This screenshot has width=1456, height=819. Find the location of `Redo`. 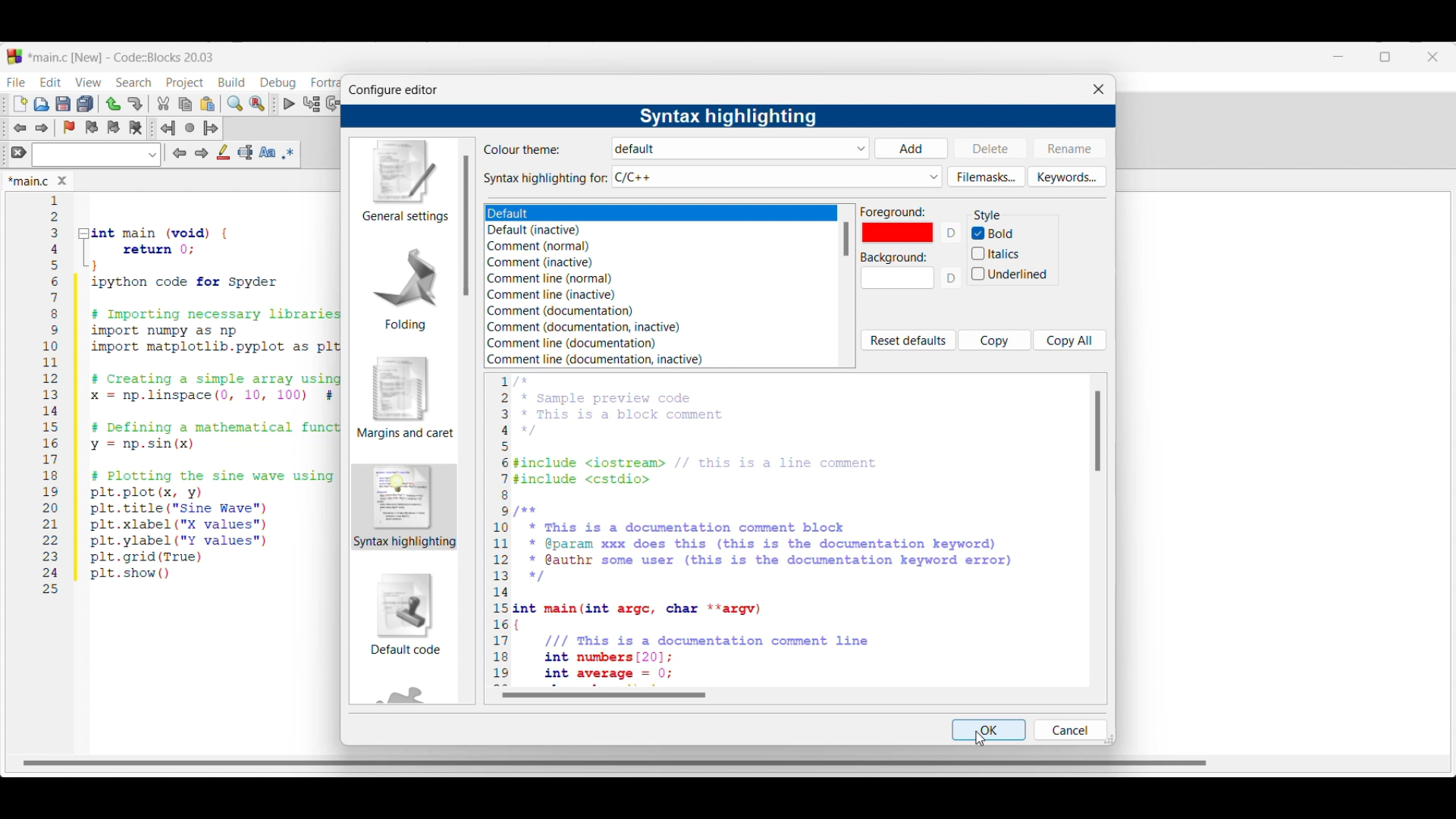

Redo is located at coordinates (135, 104).